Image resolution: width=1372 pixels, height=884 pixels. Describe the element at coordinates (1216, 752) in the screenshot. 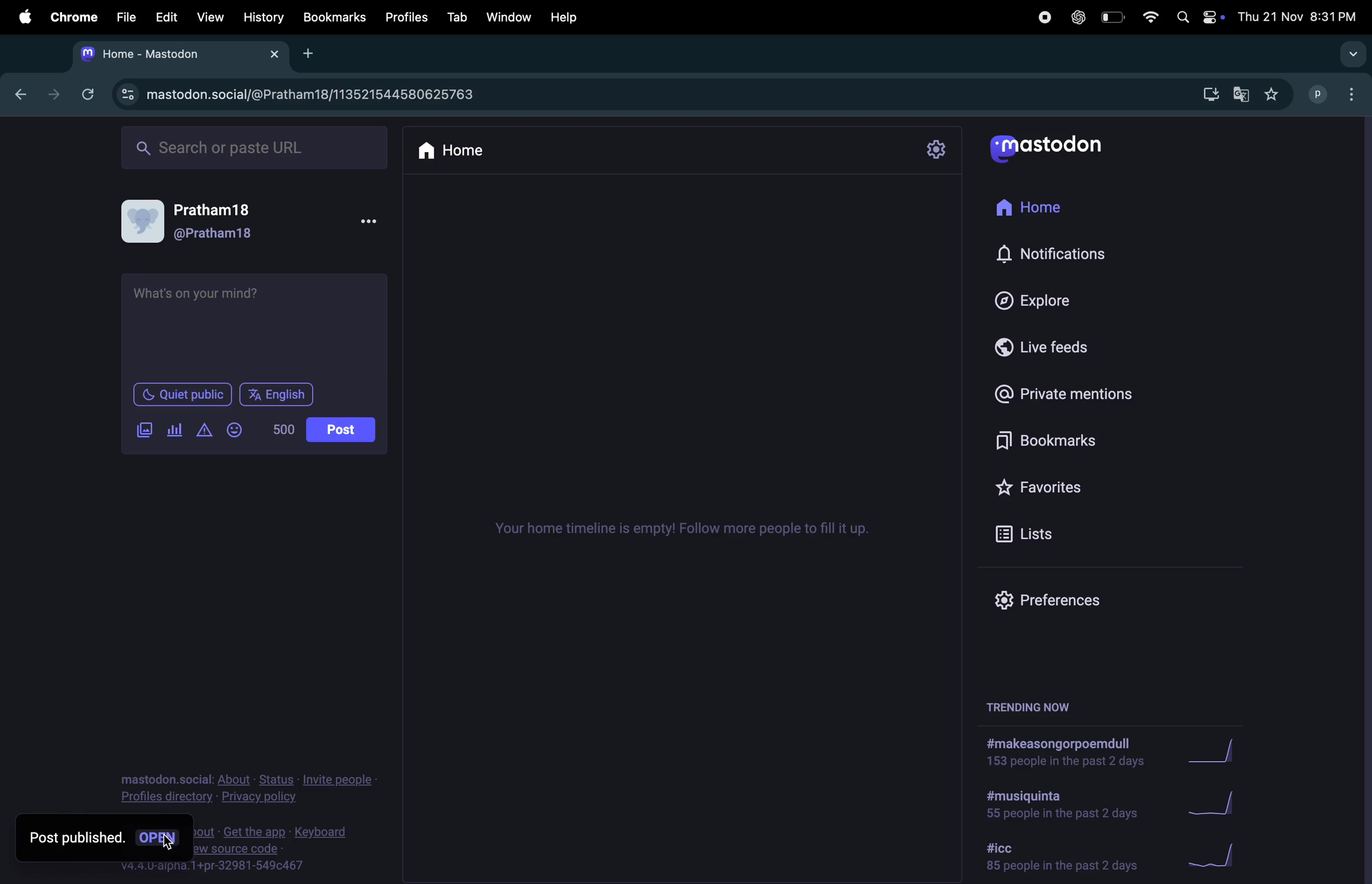

I see `graph` at that location.